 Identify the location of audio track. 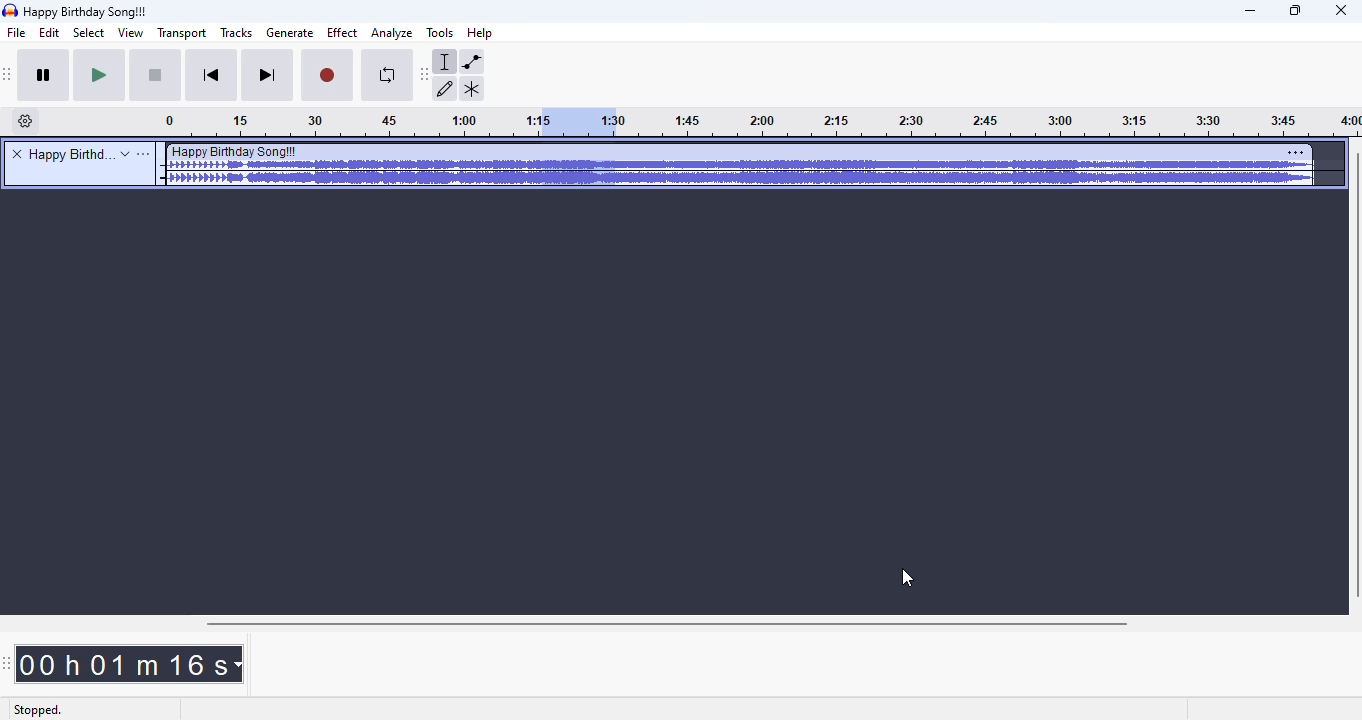
(738, 165).